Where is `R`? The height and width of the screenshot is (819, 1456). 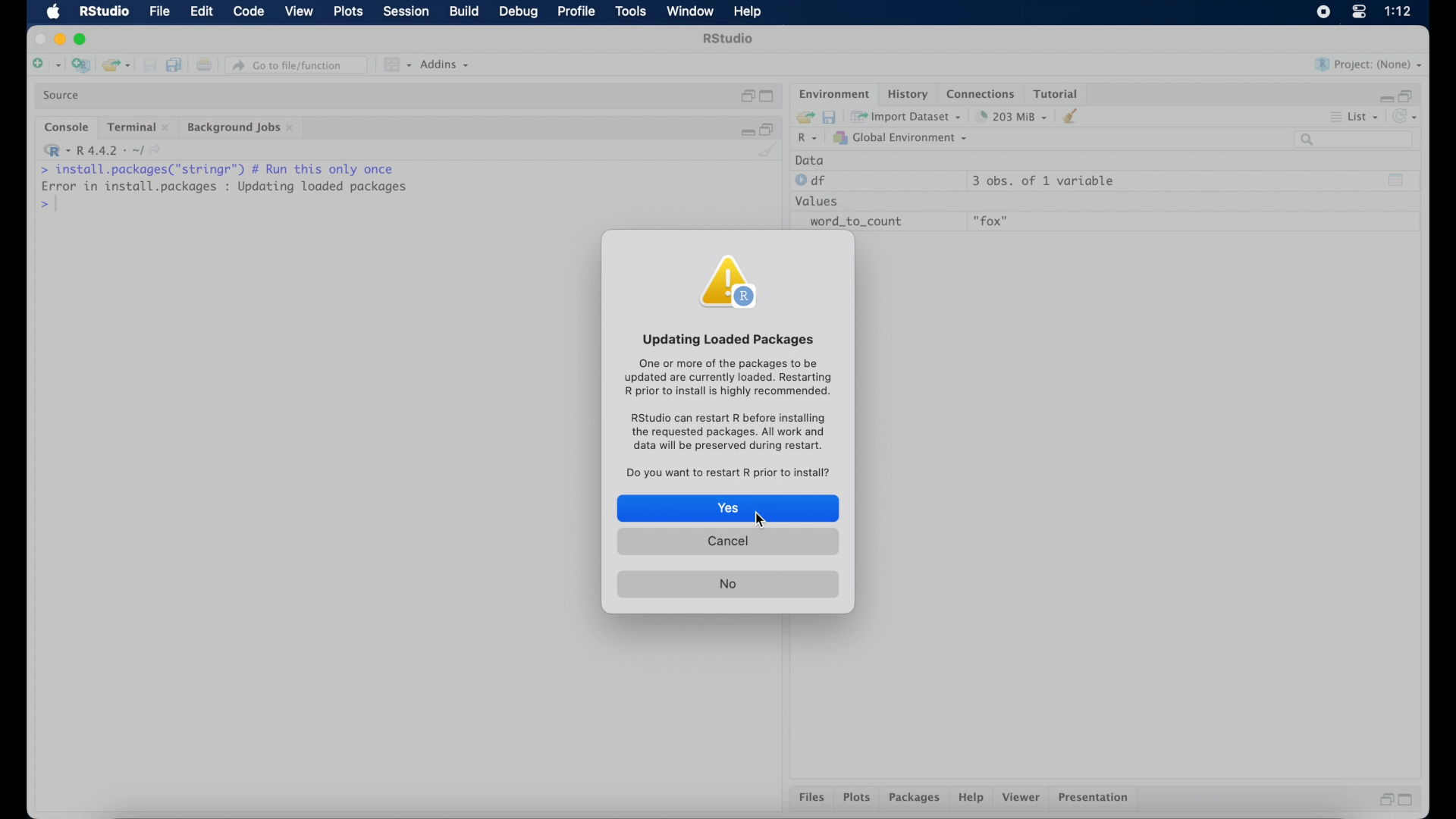
R is located at coordinates (808, 139).